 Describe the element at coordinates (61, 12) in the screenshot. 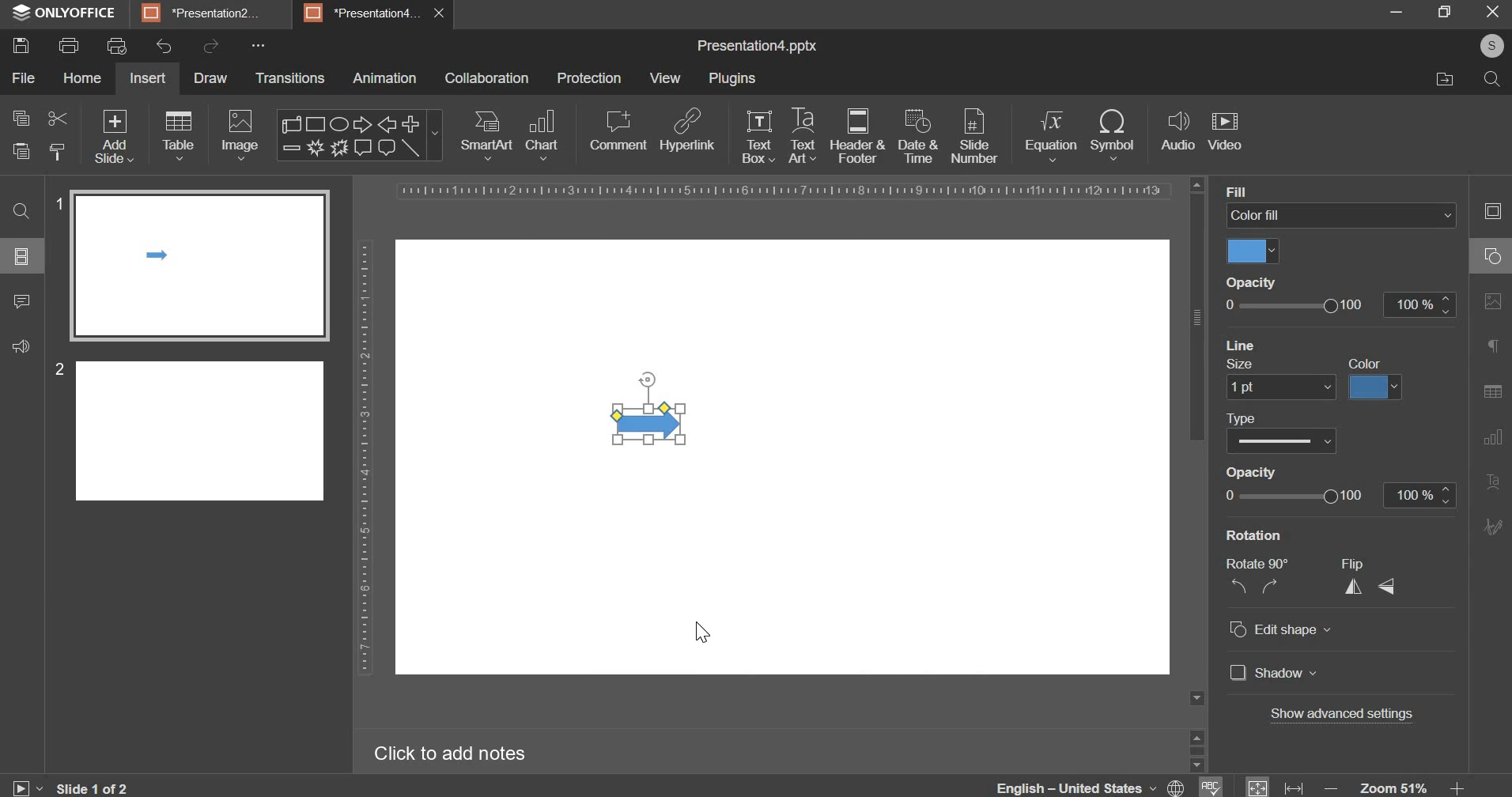

I see `ONLYOFFICE` at that location.